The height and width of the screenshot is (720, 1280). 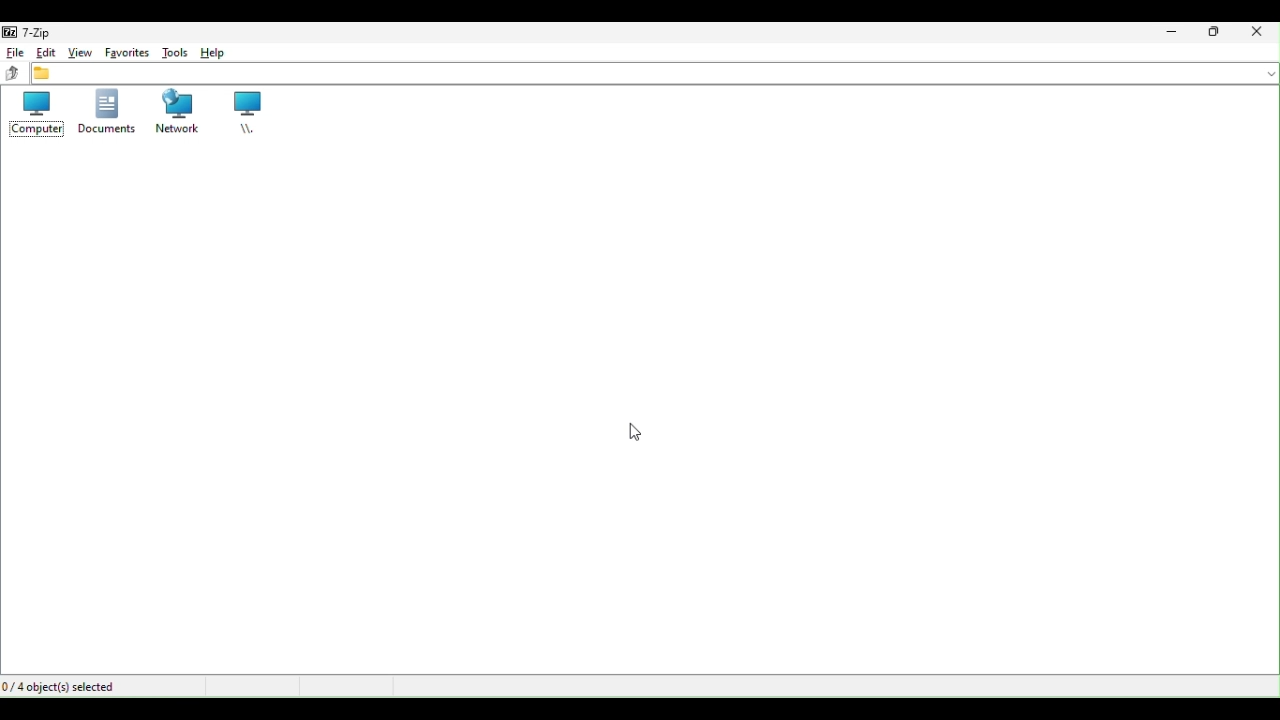 What do you see at coordinates (12, 76) in the screenshot?
I see `up` at bounding box center [12, 76].